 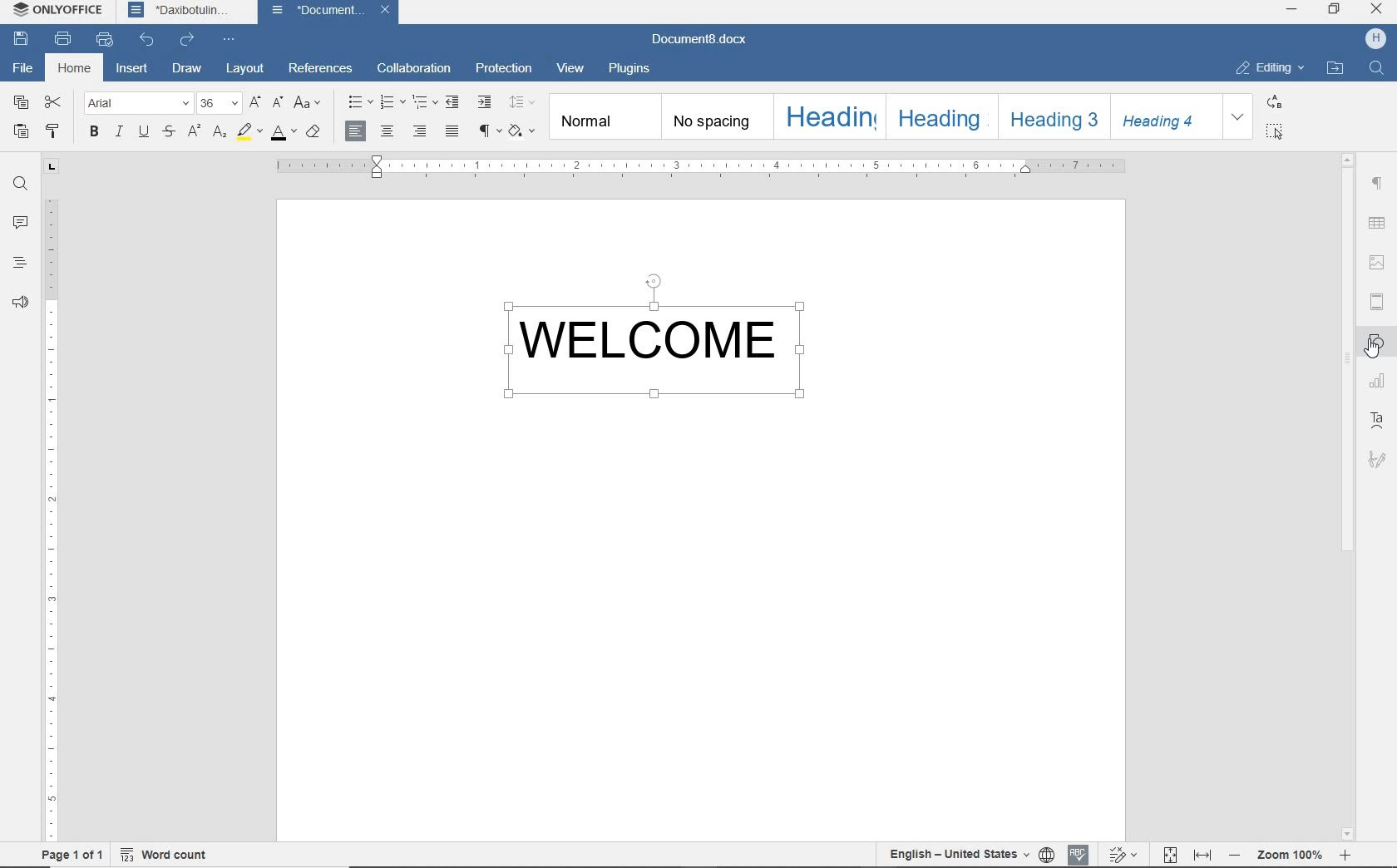 I want to click on CUT, so click(x=55, y=102).